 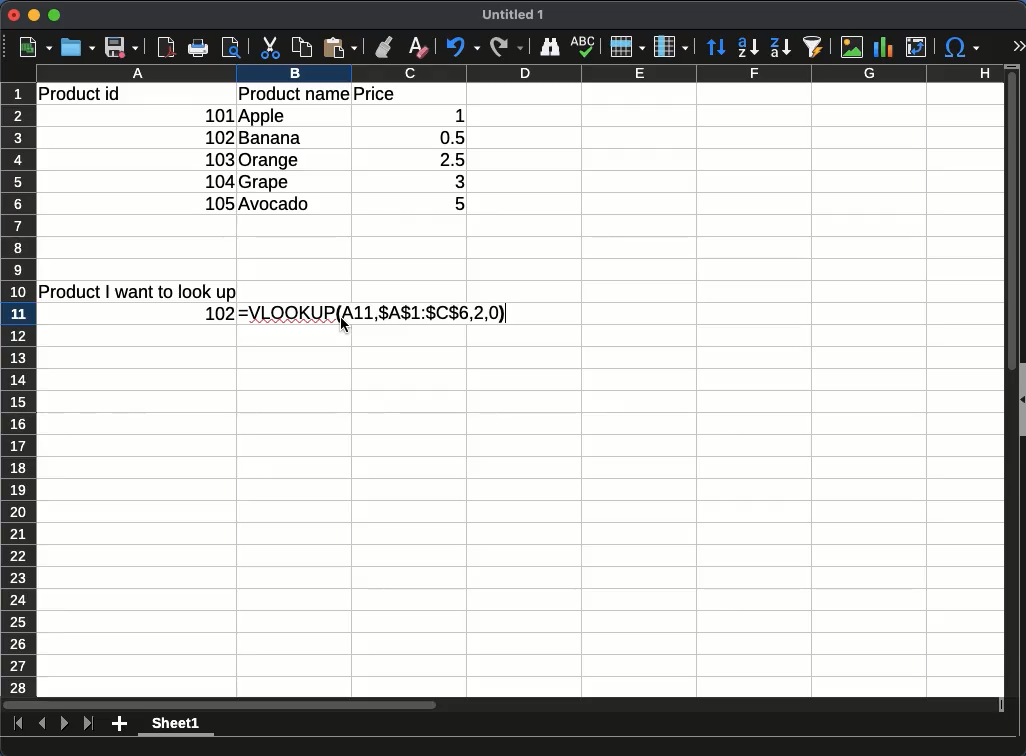 I want to click on product name, so click(x=294, y=93).